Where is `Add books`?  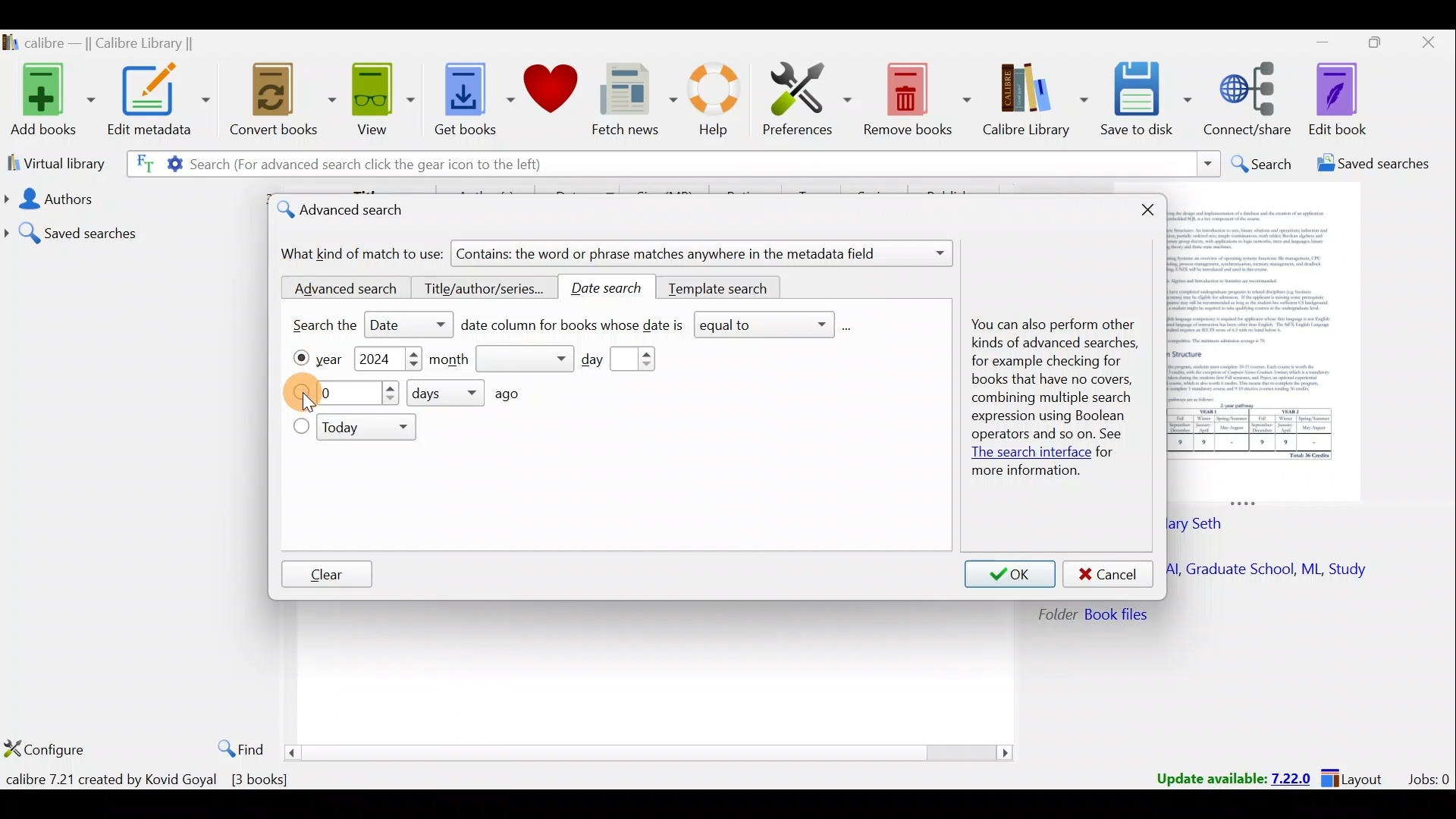
Add books is located at coordinates (49, 97).